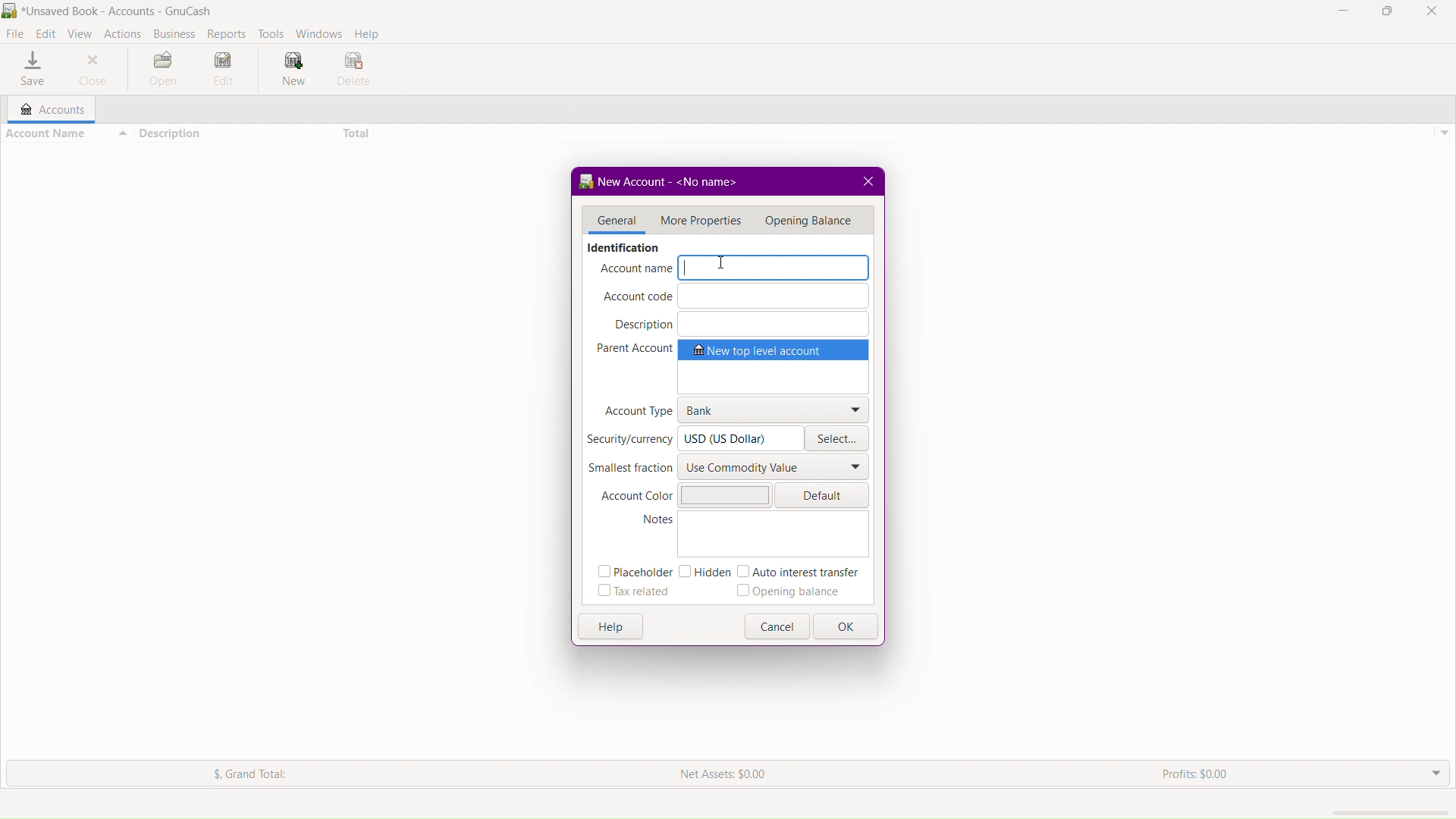 The width and height of the screenshot is (1456, 819). What do you see at coordinates (83, 33) in the screenshot?
I see `View` at bounding box center [83, 33].